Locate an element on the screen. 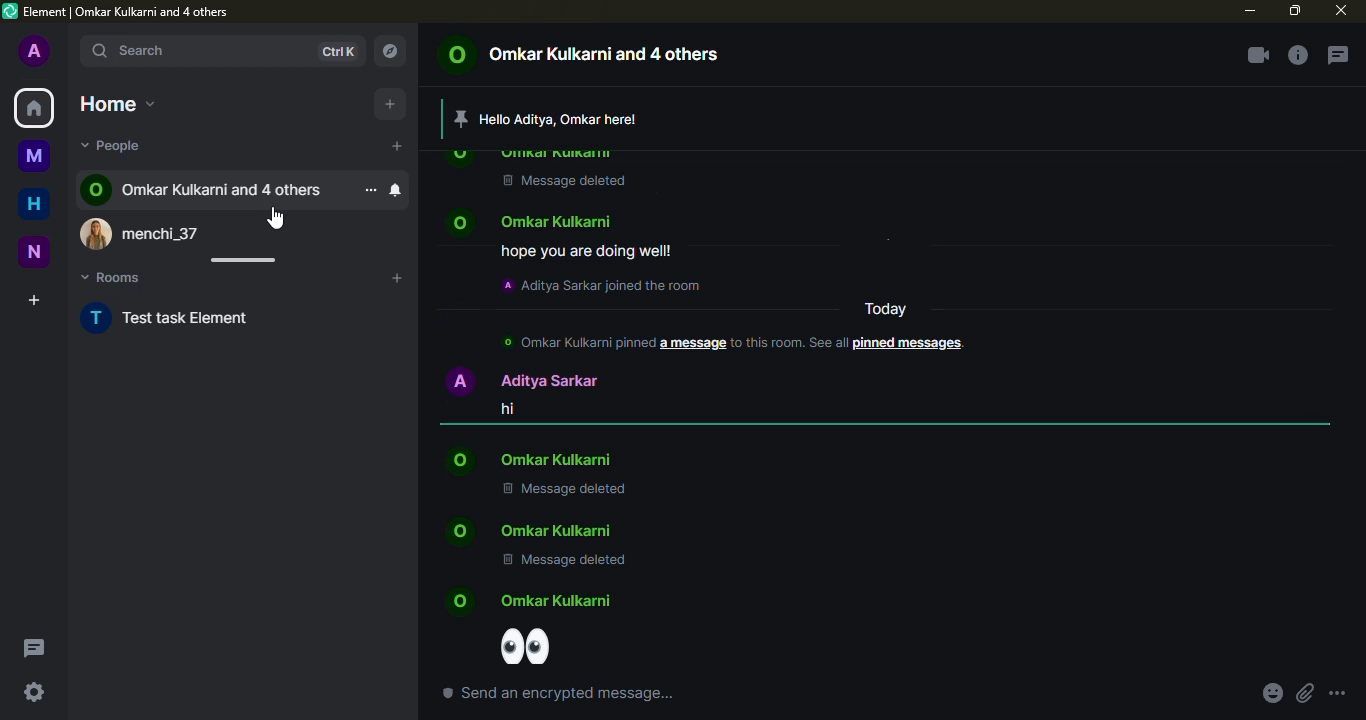 Image resolution: width=1366 pixels, height=720 pixels. rooms is located at coordinates (119, 275).